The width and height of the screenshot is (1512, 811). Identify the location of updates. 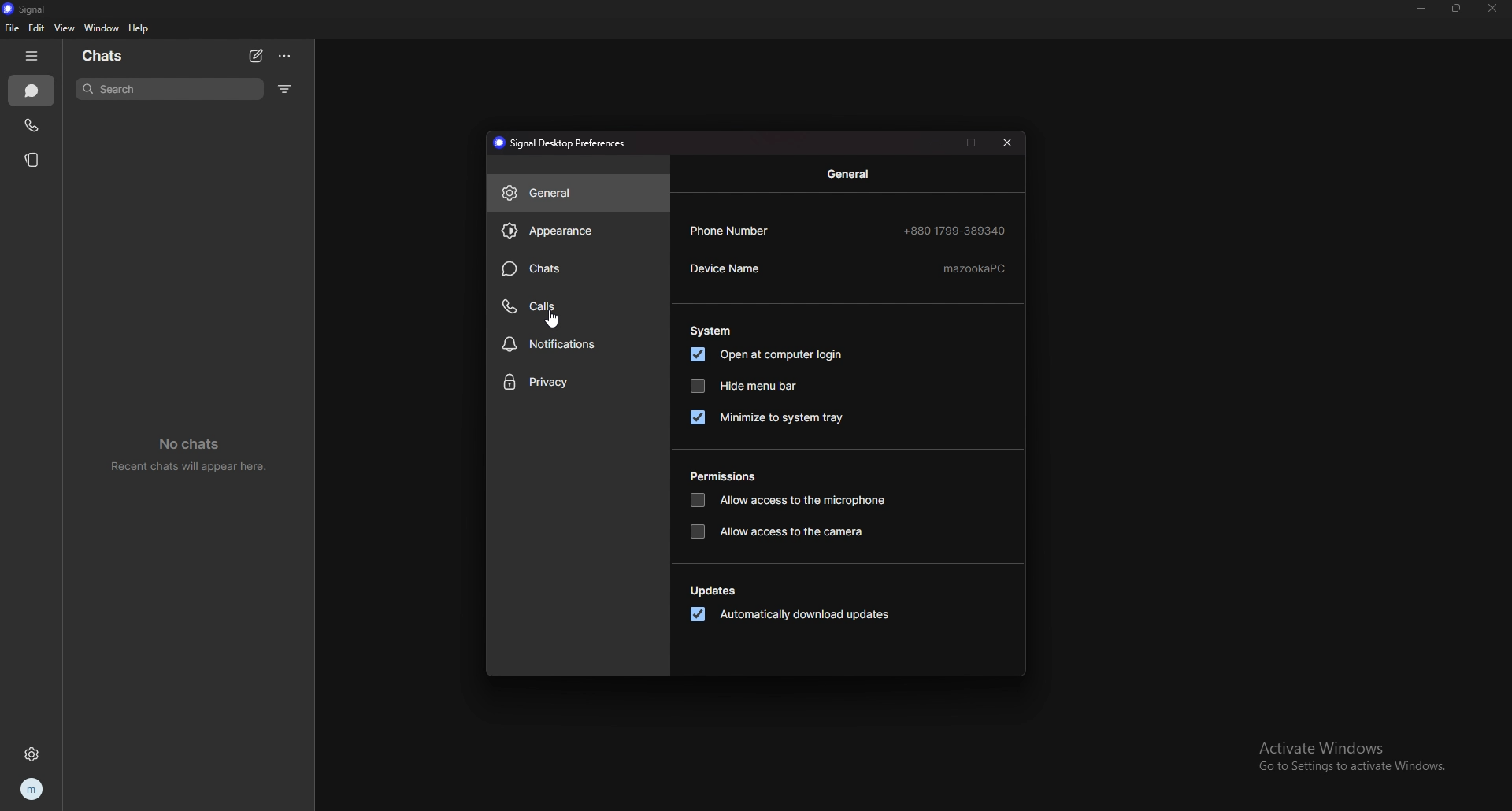
(716, 591).